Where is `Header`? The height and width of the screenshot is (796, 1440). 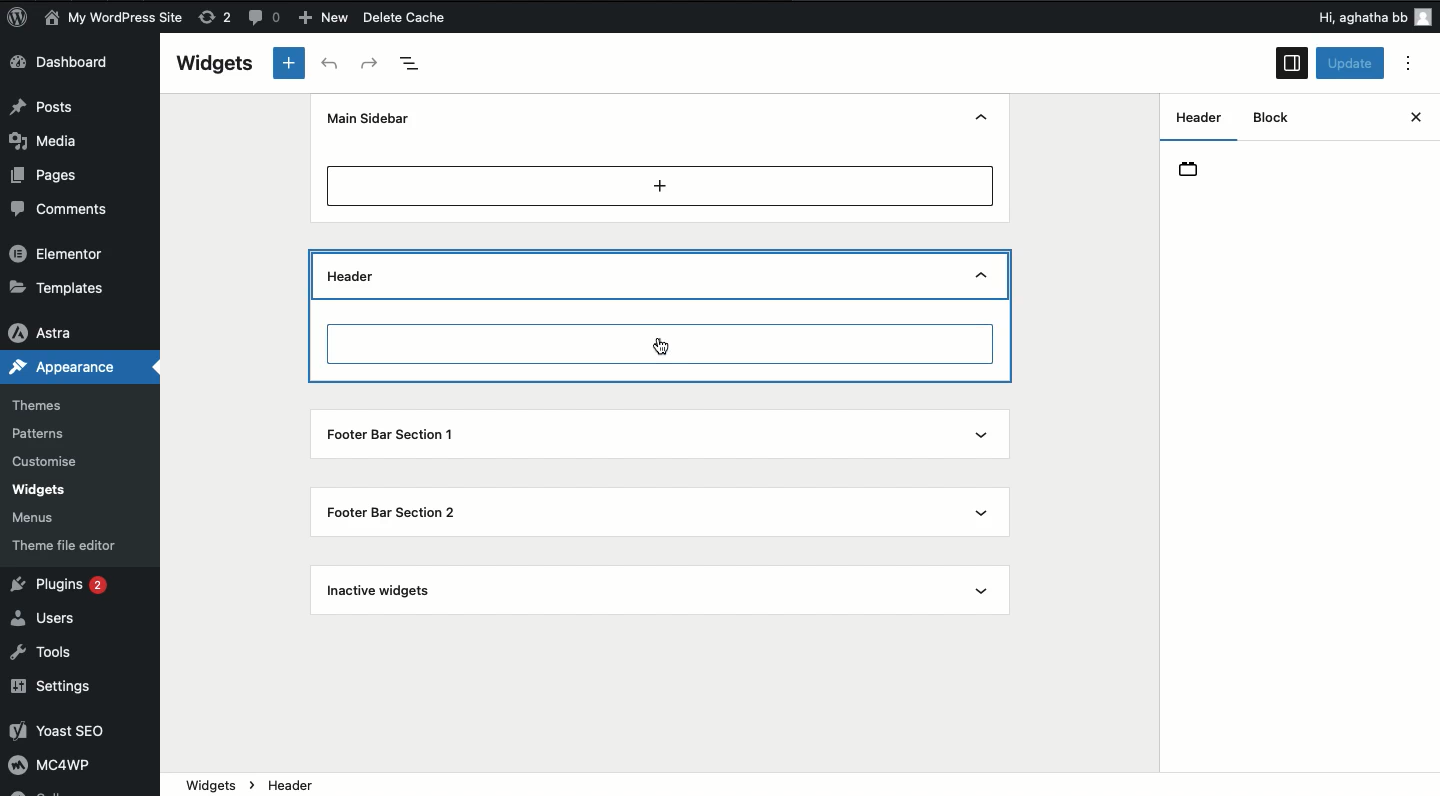 Header is located at coordinates (352, 277).